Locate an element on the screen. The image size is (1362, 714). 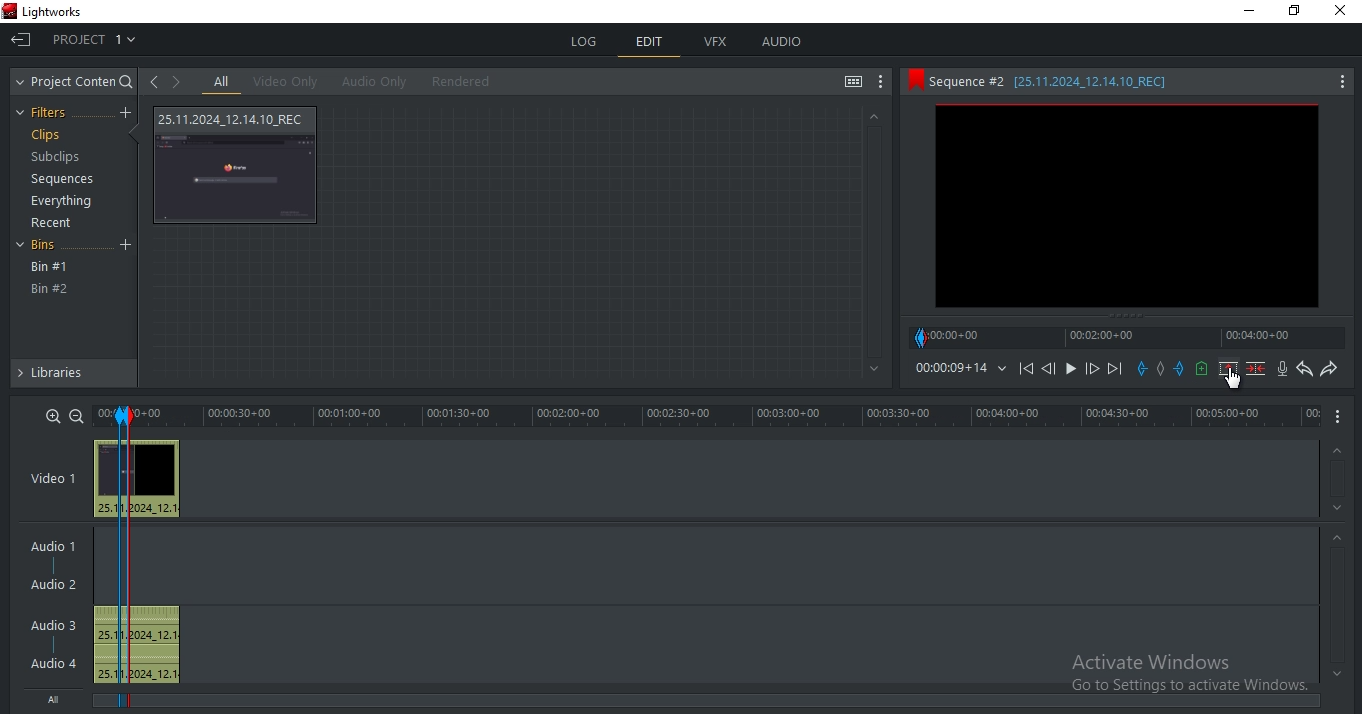
clip is located at coordinates (1126, 206).